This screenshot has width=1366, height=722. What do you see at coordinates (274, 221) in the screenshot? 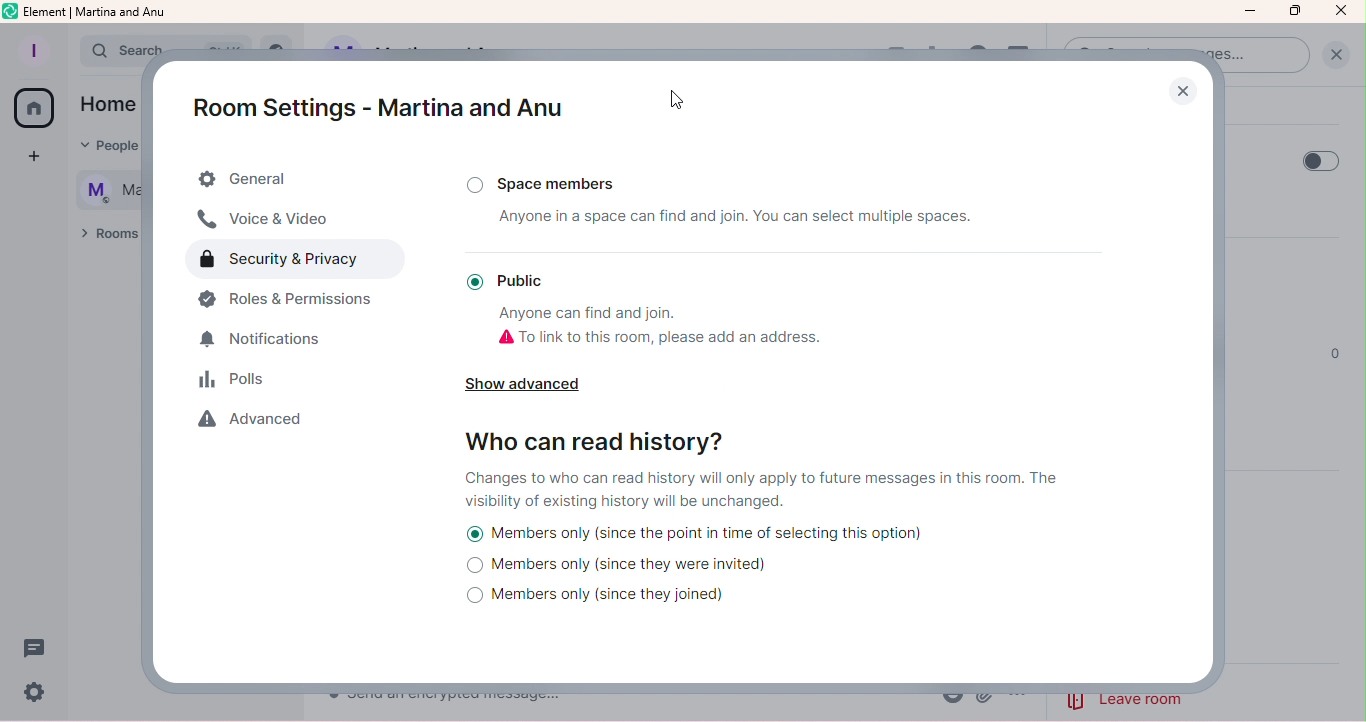
I see `Voice and video` at bounding box center [274, 221].